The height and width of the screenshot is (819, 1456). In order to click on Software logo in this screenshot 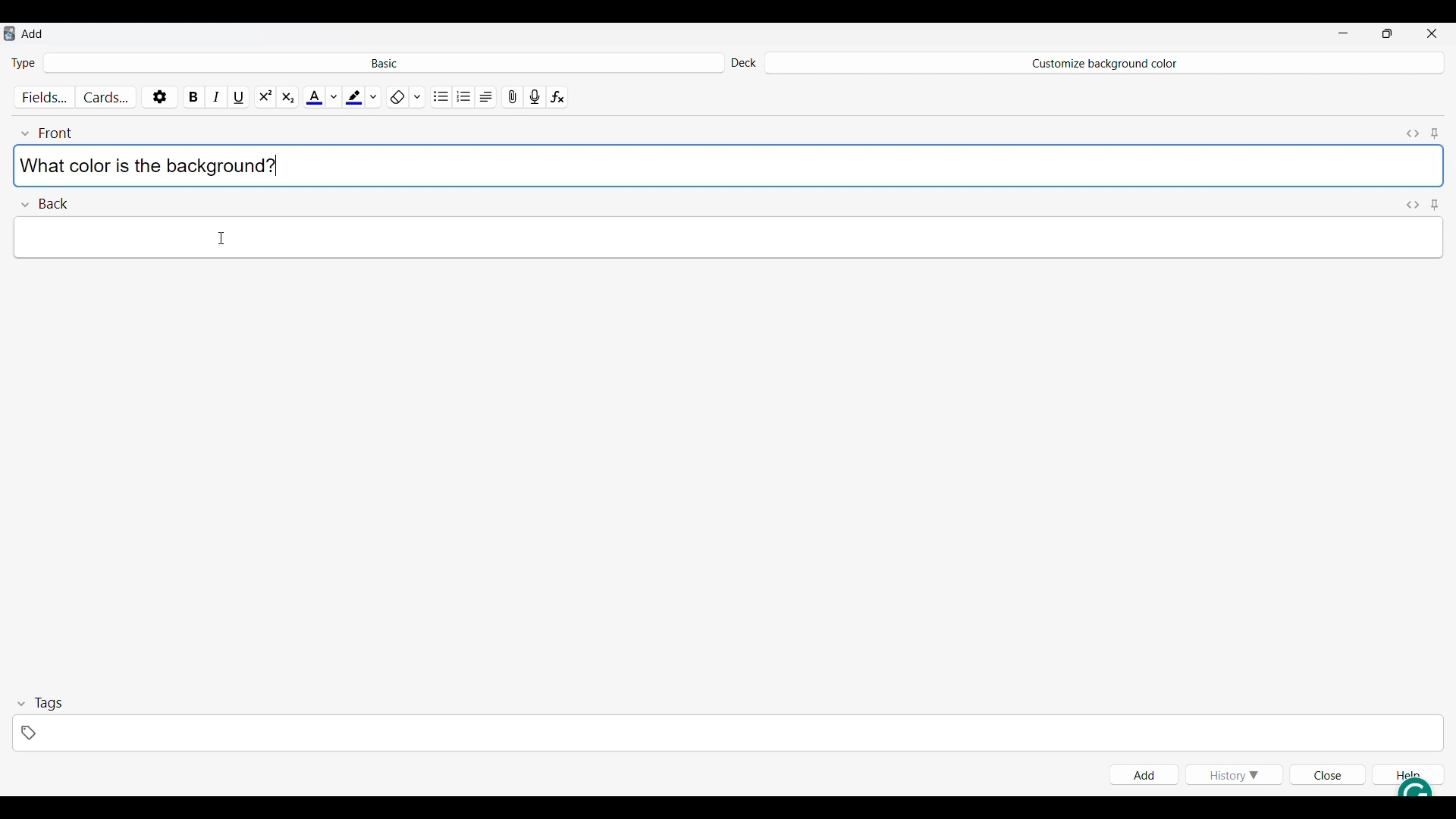, I will do `click(9, 33)`.